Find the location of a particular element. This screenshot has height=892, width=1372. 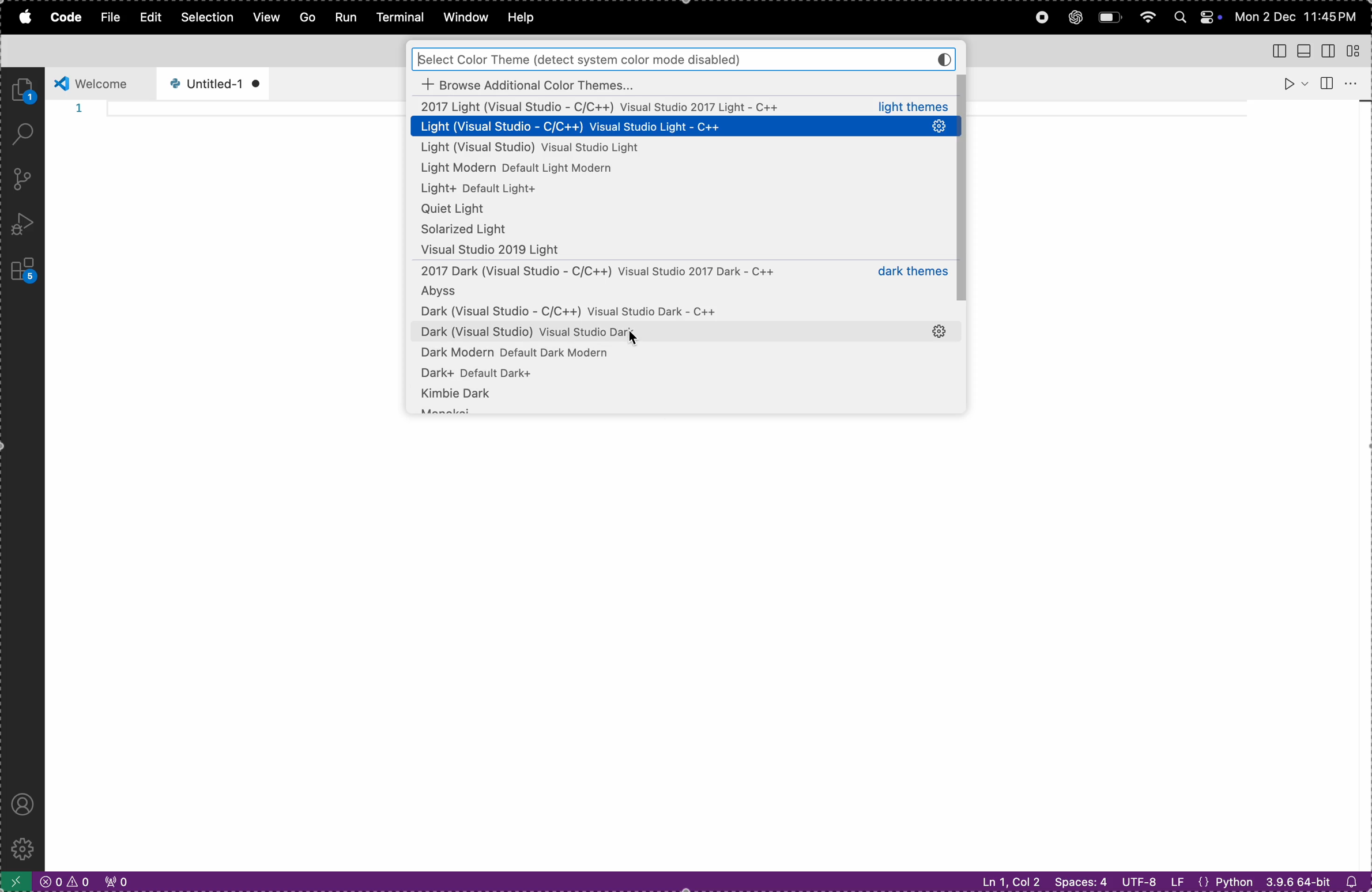

source control is located at coordinates (19, 179).